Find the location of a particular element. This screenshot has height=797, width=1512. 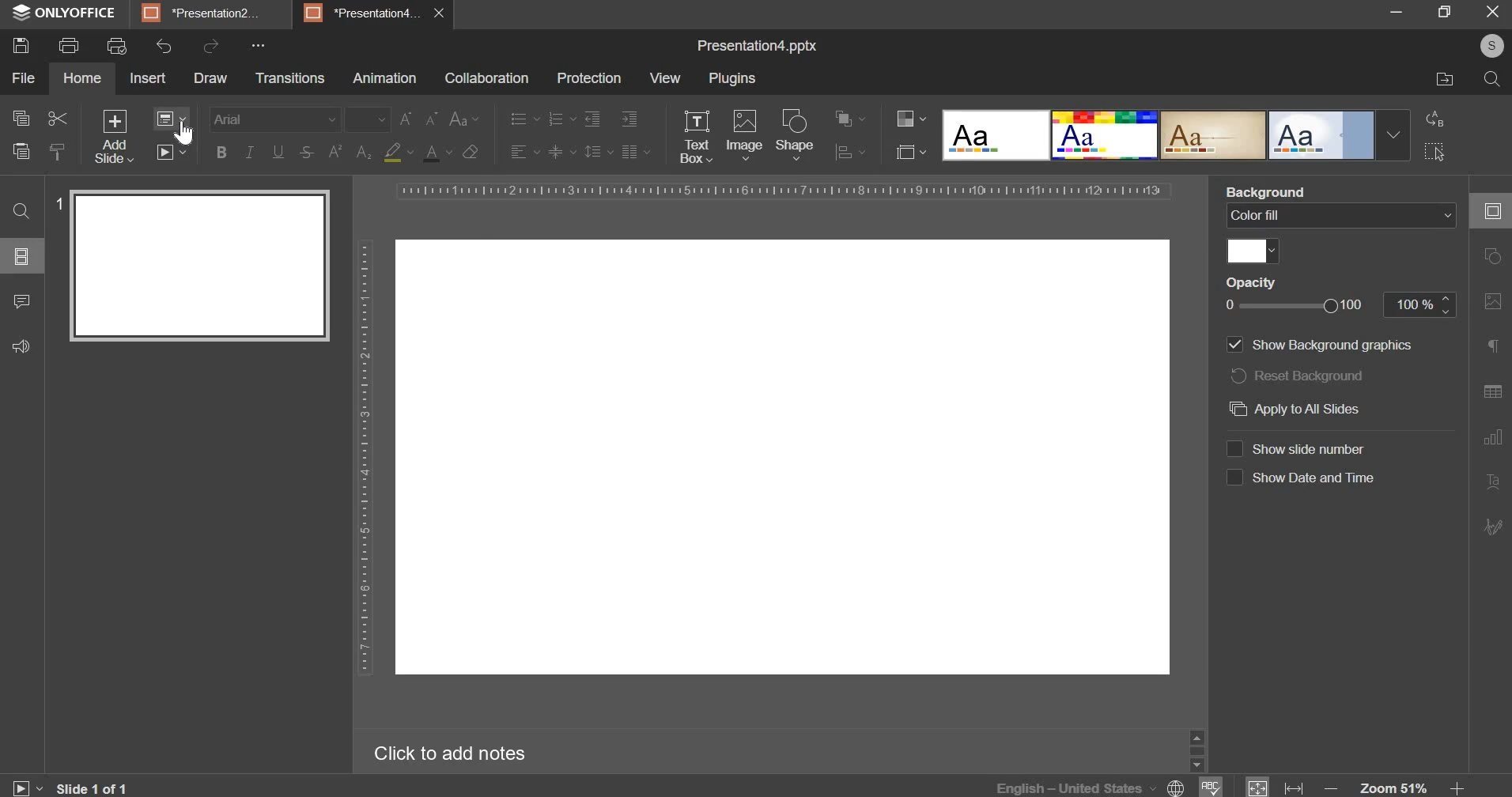

show date and time is located at coordinates (1316, 478).